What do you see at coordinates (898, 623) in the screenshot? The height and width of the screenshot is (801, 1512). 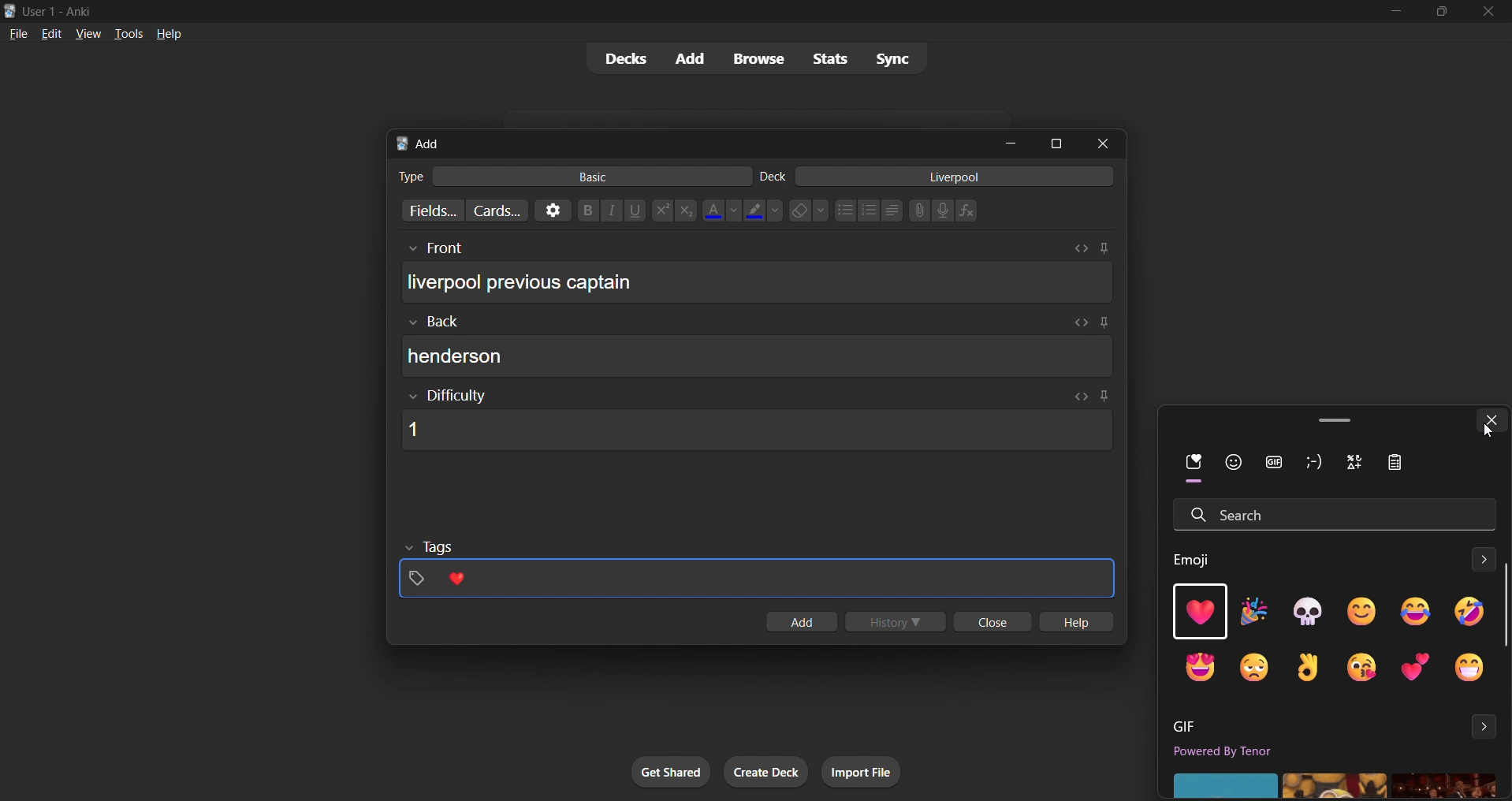 I see `history` at bounding box center [898, 623].